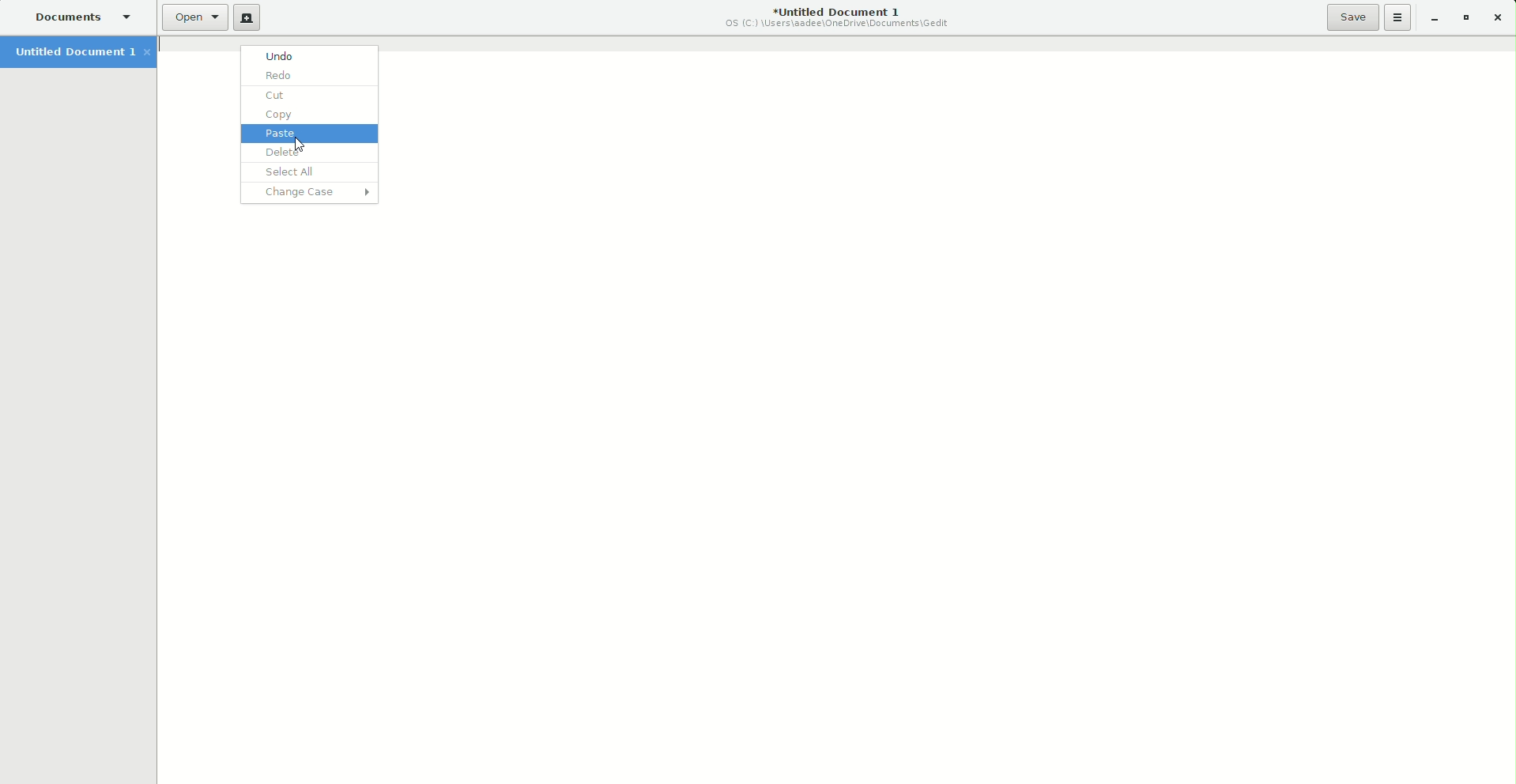 The image size is (1516, 784). Describe the element at coordinates (307, 55) in the screenshot. I see `Undo` at that location.